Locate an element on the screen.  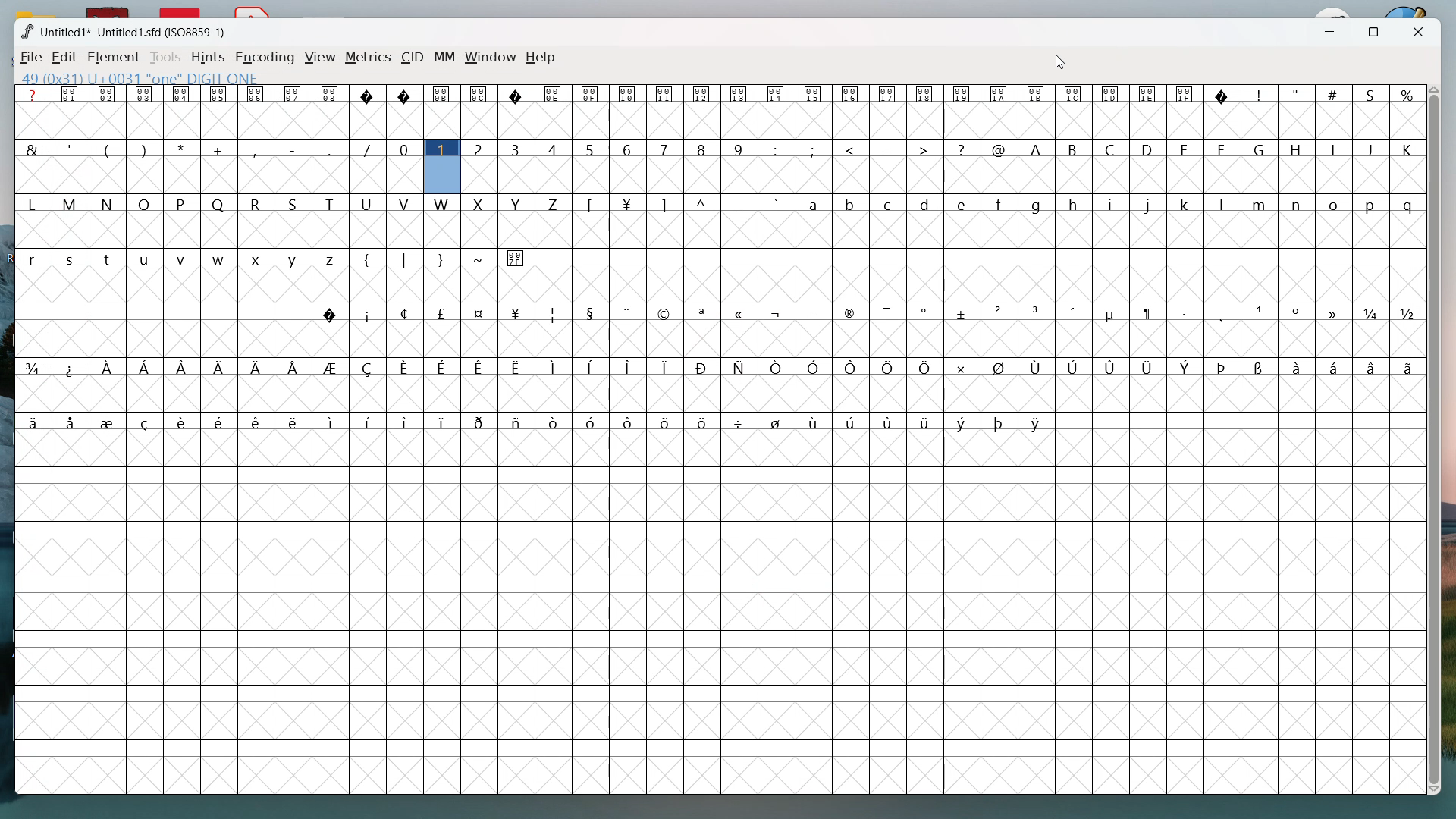
= is located at coordinates (887, 147).